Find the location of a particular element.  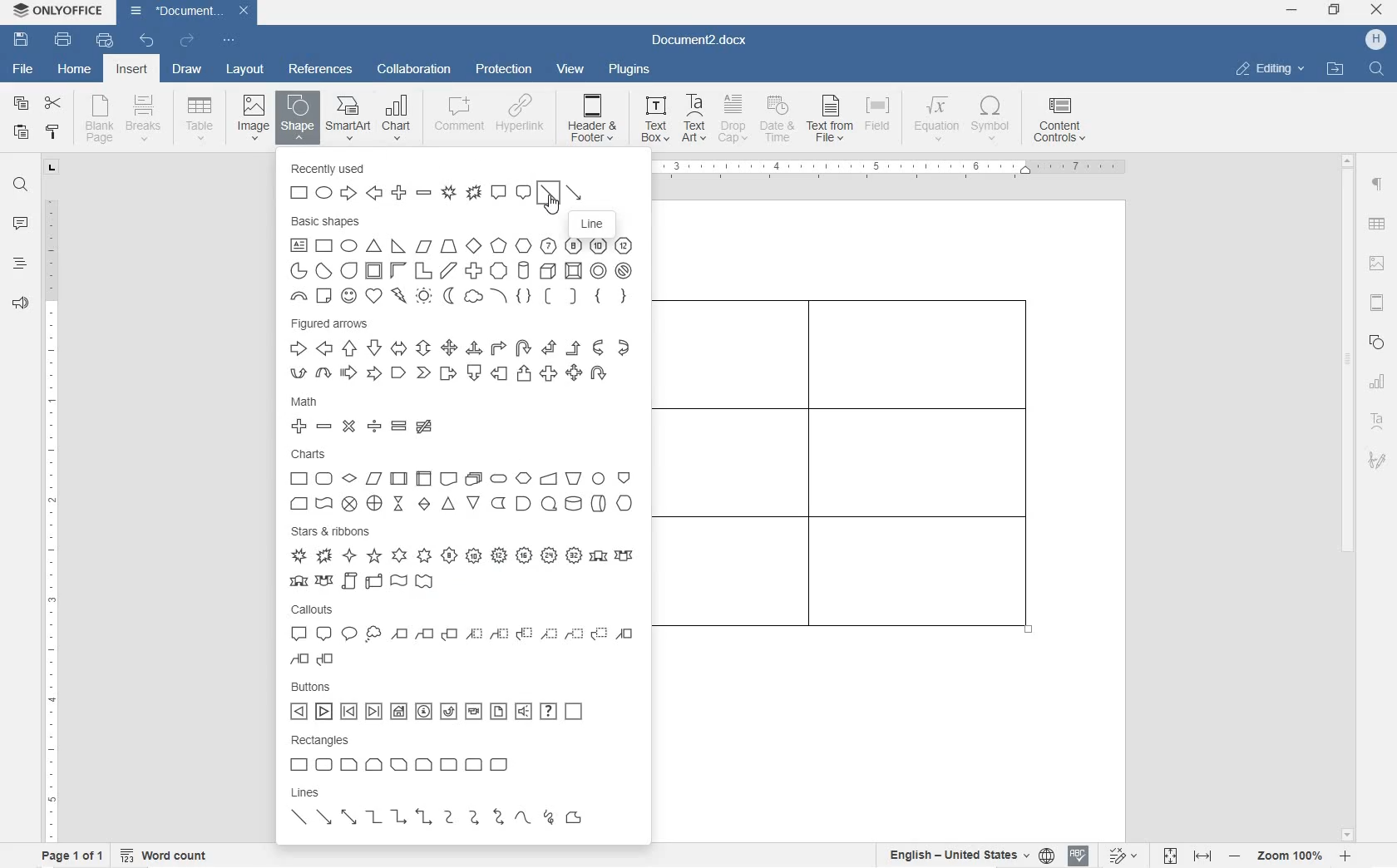

Document3.docx is located at coordinates (704, 42).